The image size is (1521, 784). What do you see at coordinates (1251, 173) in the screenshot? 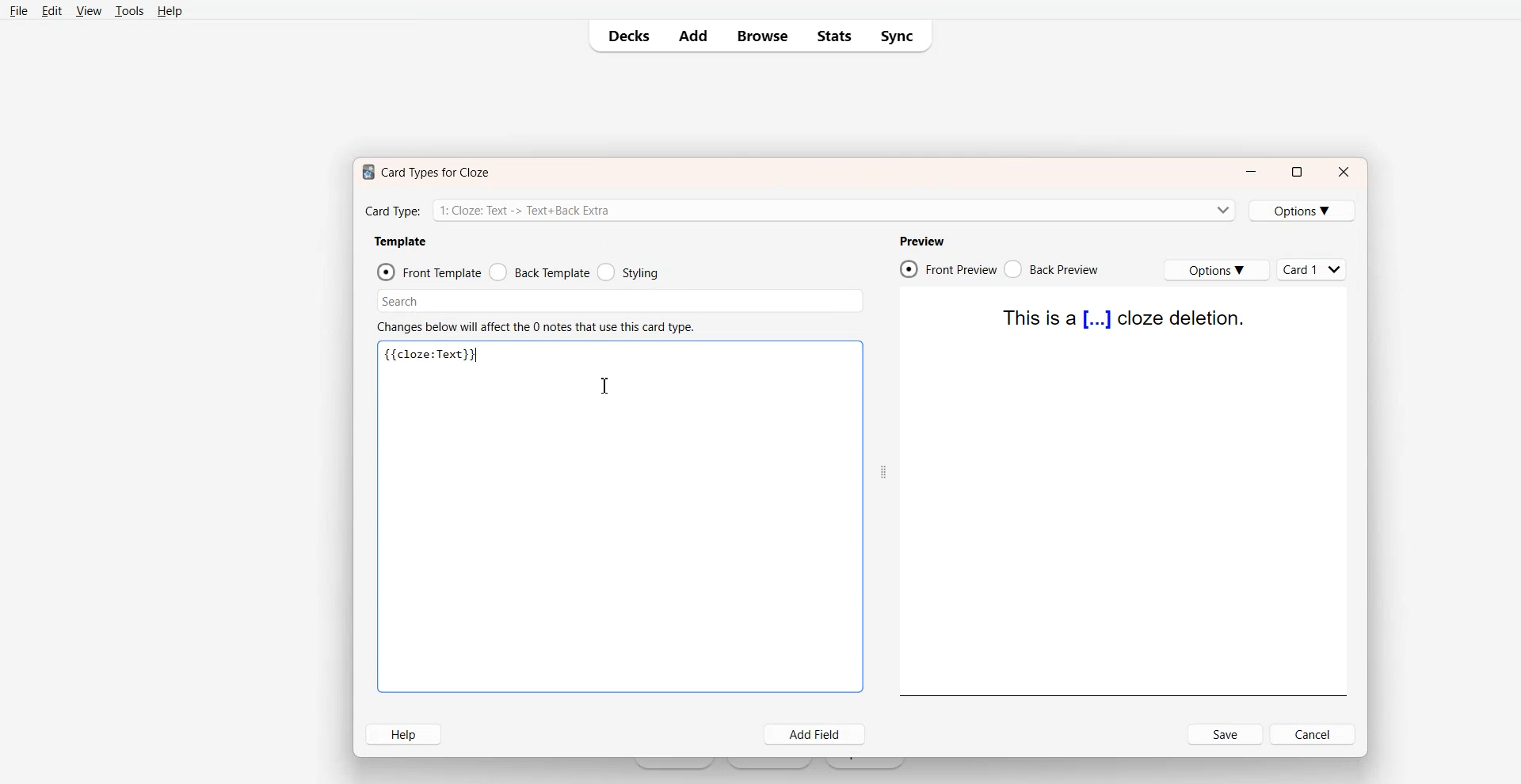
I see `Minimize` at bounding box center [1251, 173].